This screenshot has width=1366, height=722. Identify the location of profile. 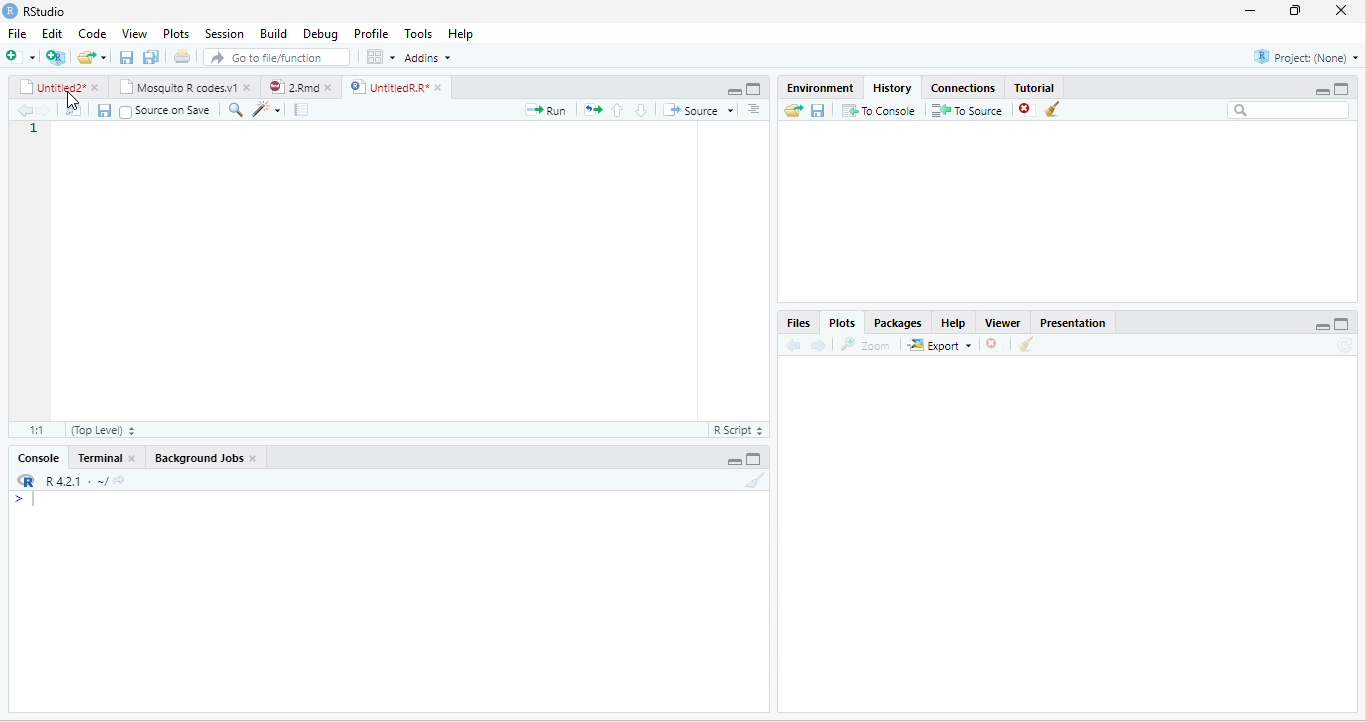
(370, 33).